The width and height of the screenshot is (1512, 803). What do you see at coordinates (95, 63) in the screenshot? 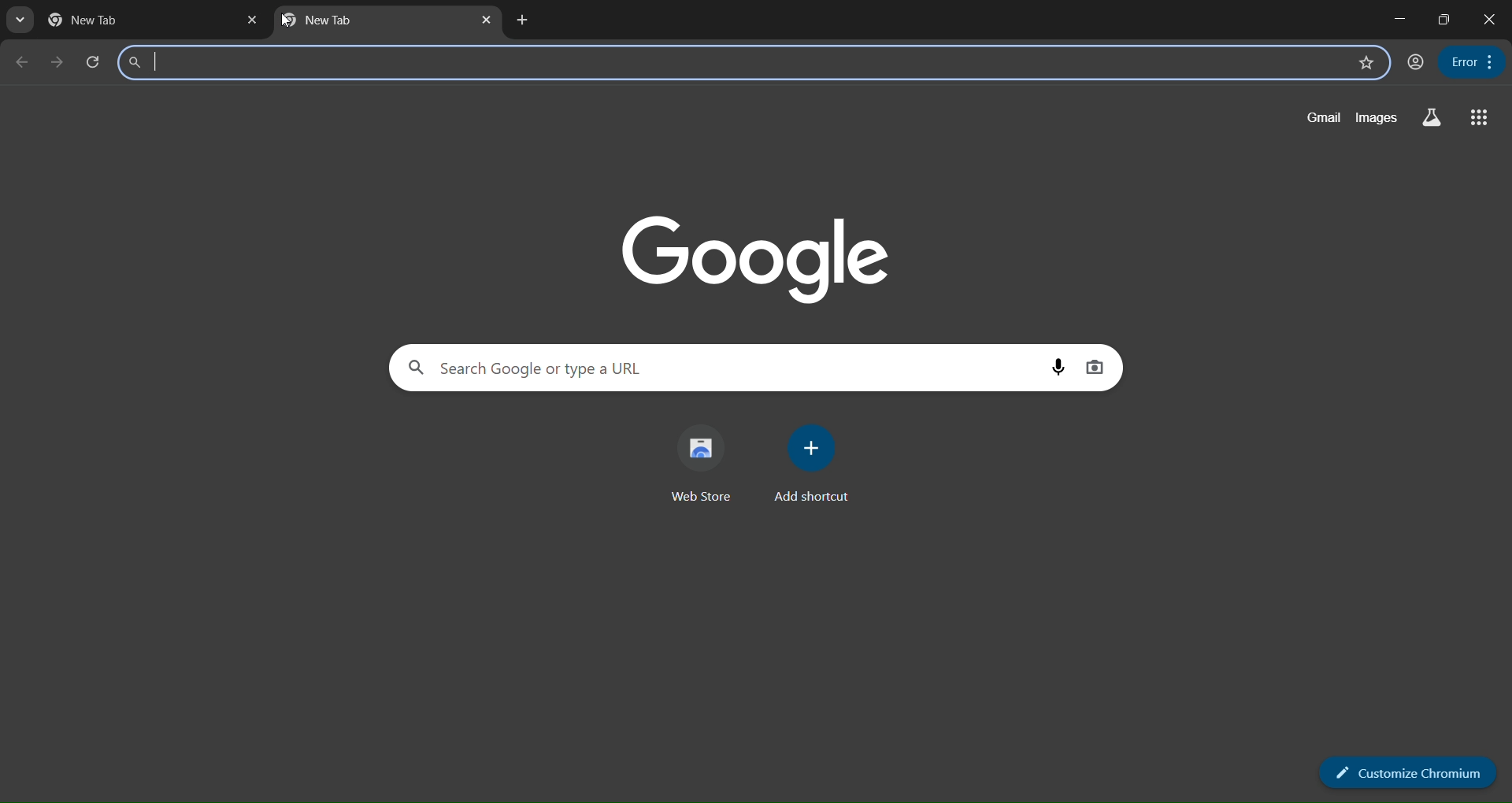
I see `refresh` at bounding box center [95, 63].